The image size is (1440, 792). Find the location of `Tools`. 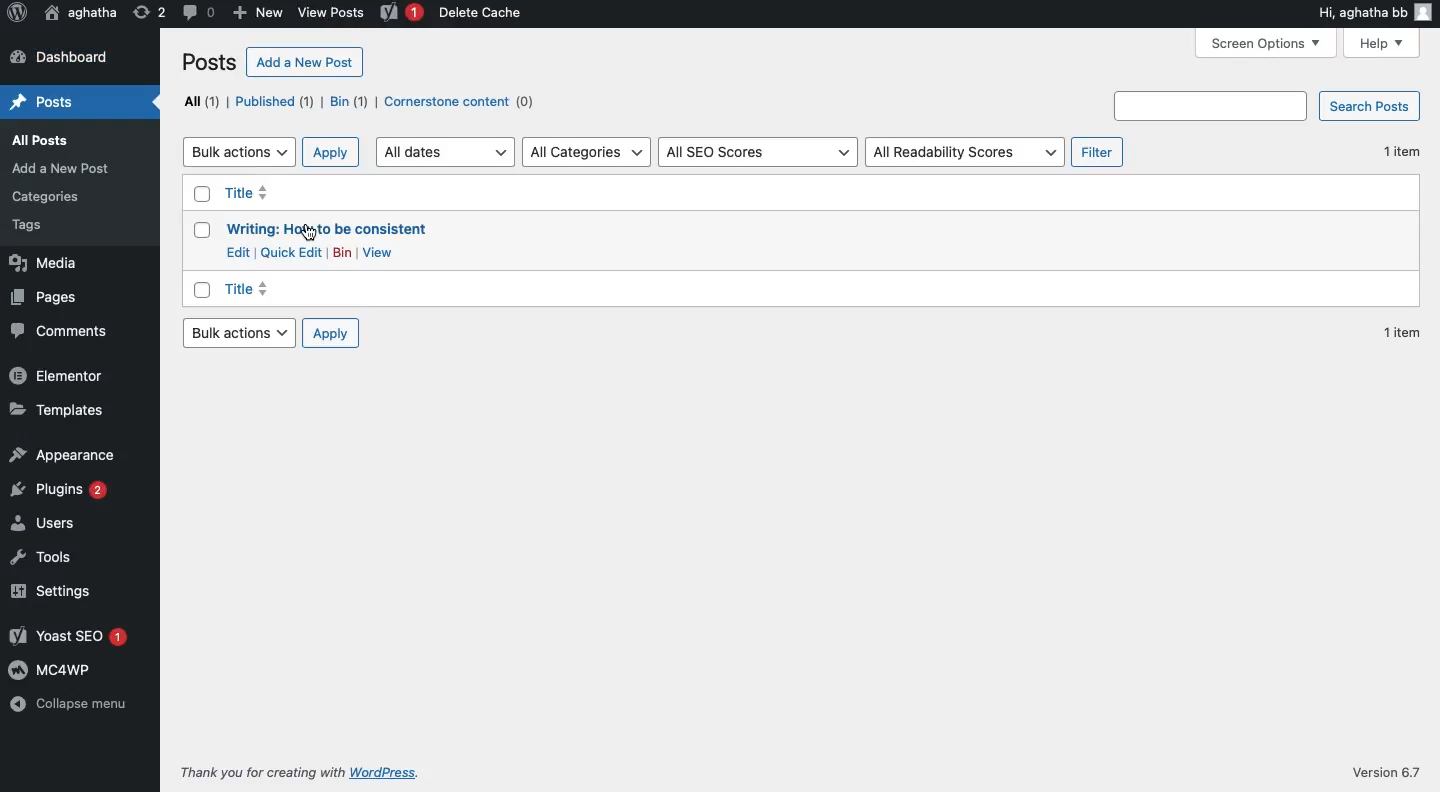

Tools is located at coordinates (41, 557).